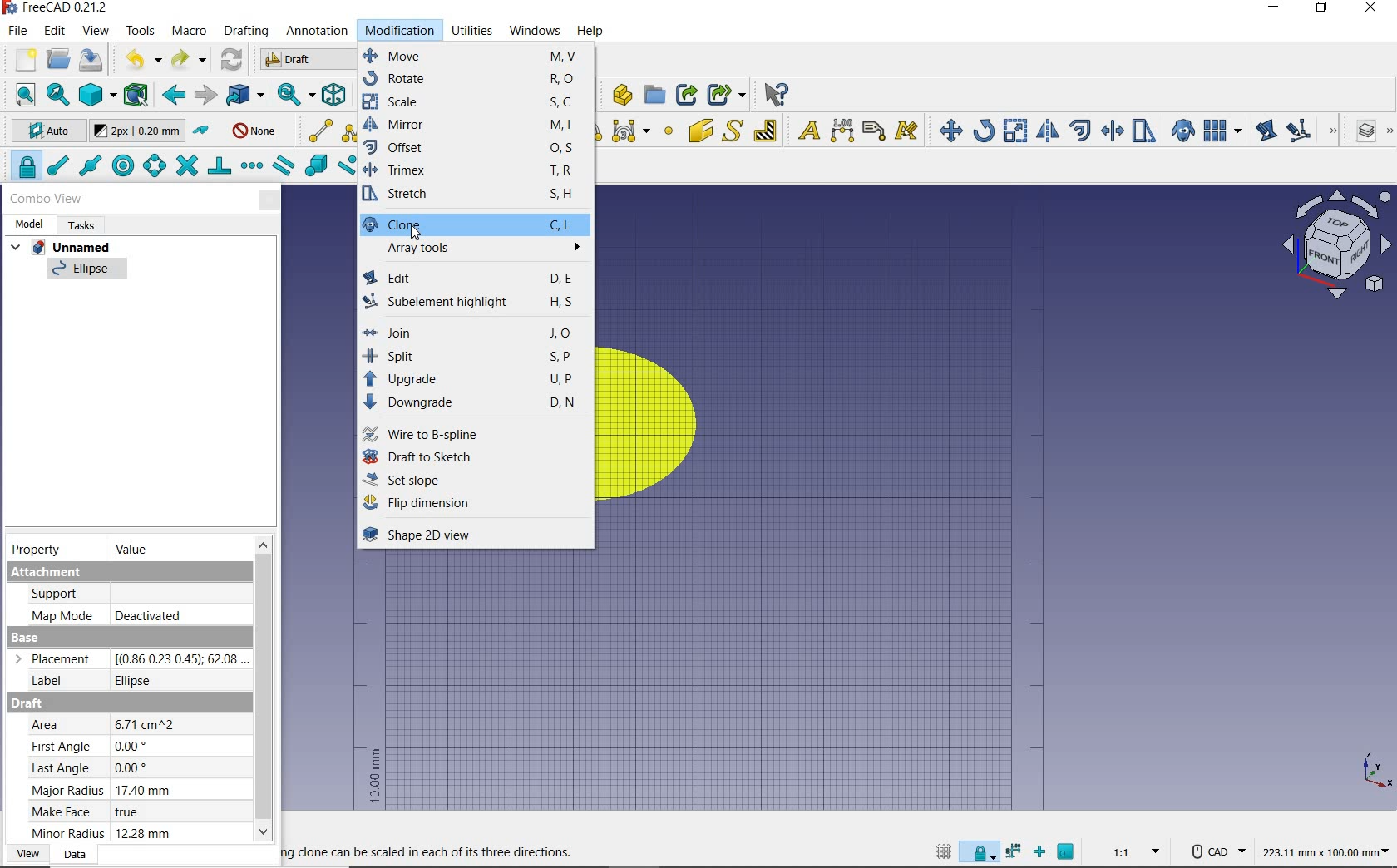  I want to click on ellipse, so click(87, 272).